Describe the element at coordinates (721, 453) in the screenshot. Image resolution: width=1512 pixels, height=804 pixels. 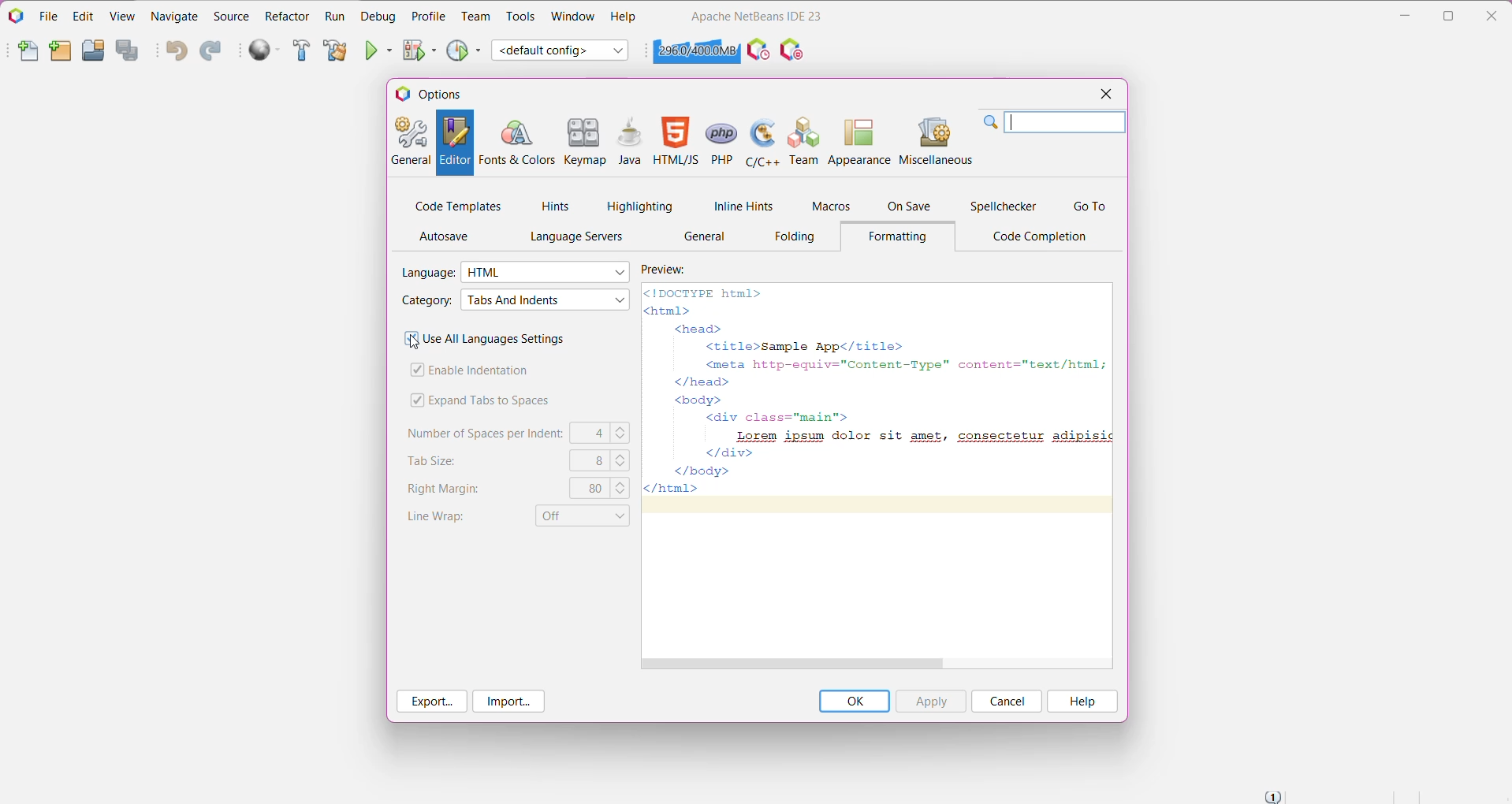
I see `</div>` at that location.